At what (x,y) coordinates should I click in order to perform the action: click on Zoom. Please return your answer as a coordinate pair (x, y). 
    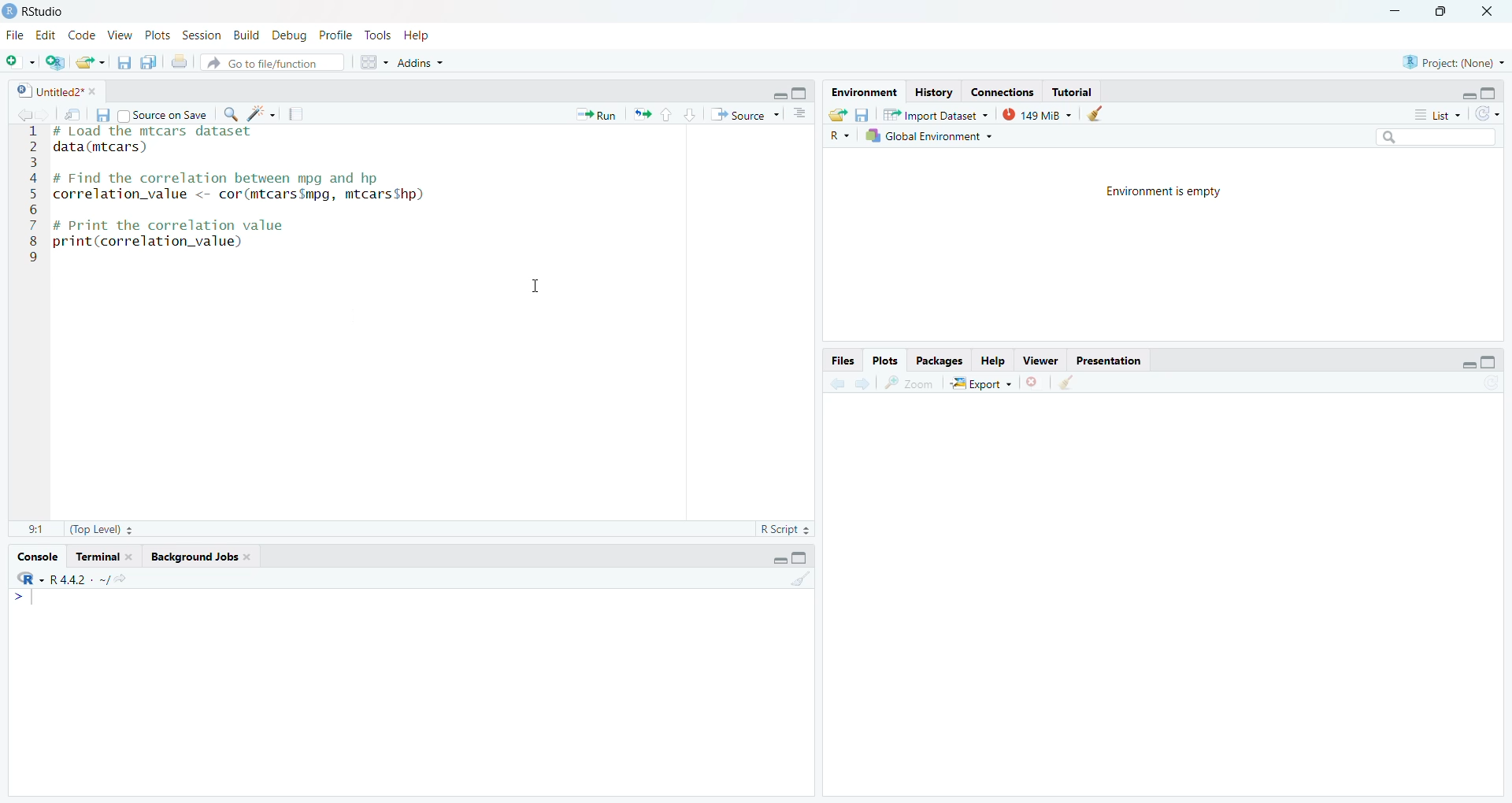
    Looking at the image, I should click on (910, 383).